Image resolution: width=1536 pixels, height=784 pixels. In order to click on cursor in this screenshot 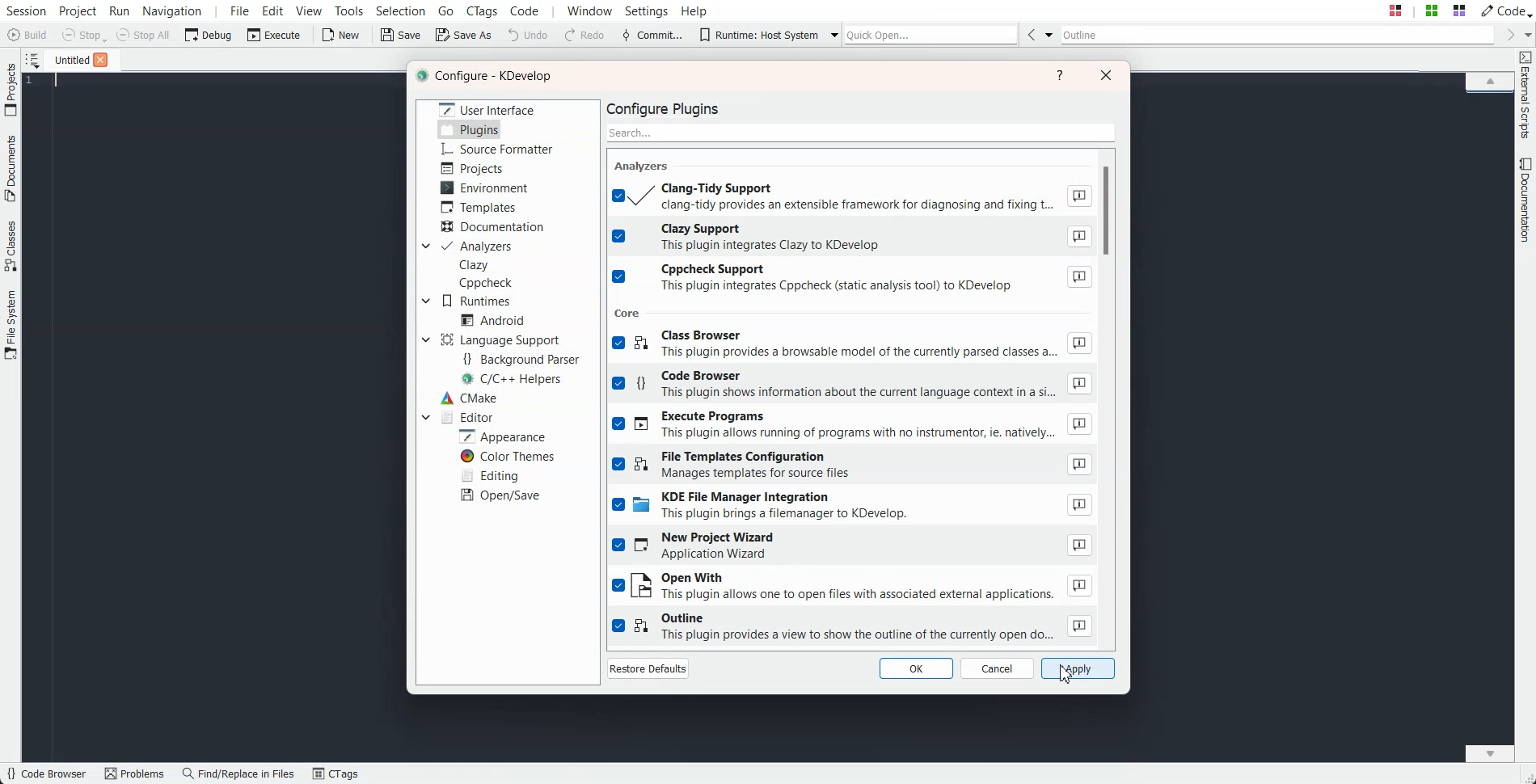, I will do `click(1067, 674)`.